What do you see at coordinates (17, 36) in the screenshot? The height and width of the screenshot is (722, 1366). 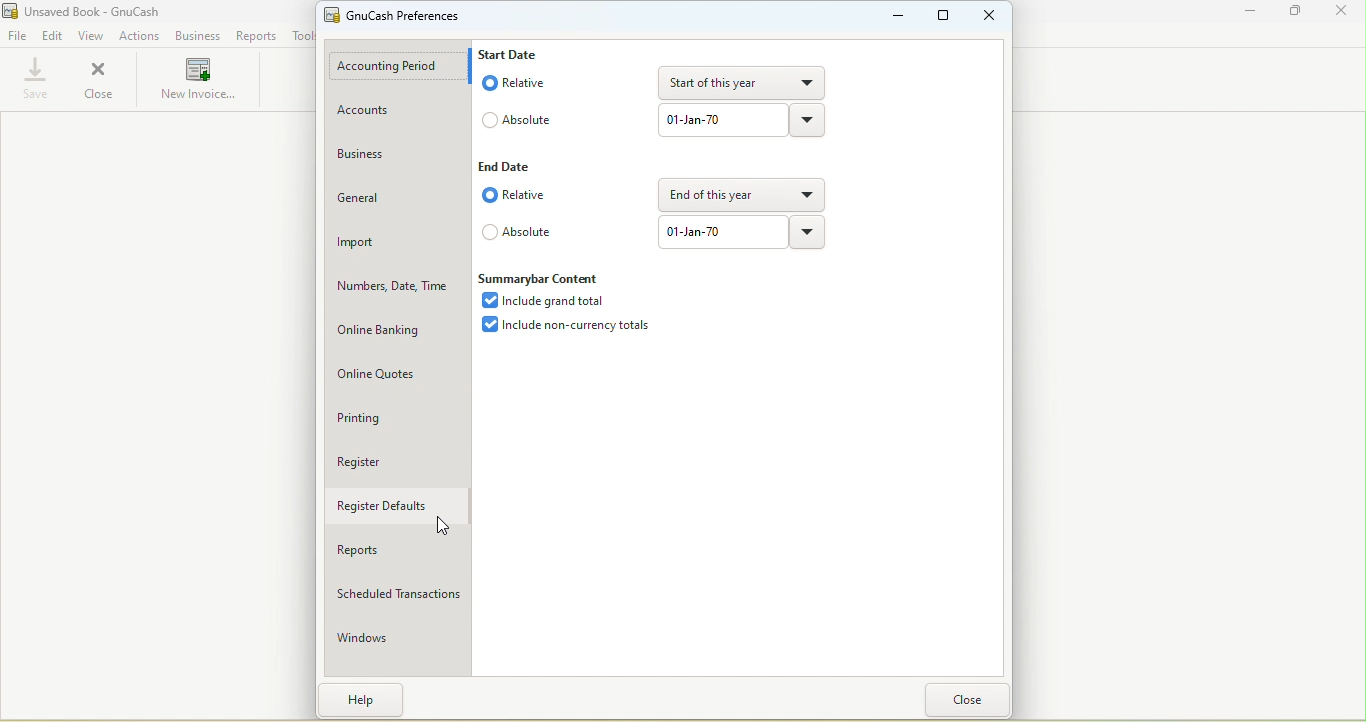 I see `File ` at bounding box center [17, 36].